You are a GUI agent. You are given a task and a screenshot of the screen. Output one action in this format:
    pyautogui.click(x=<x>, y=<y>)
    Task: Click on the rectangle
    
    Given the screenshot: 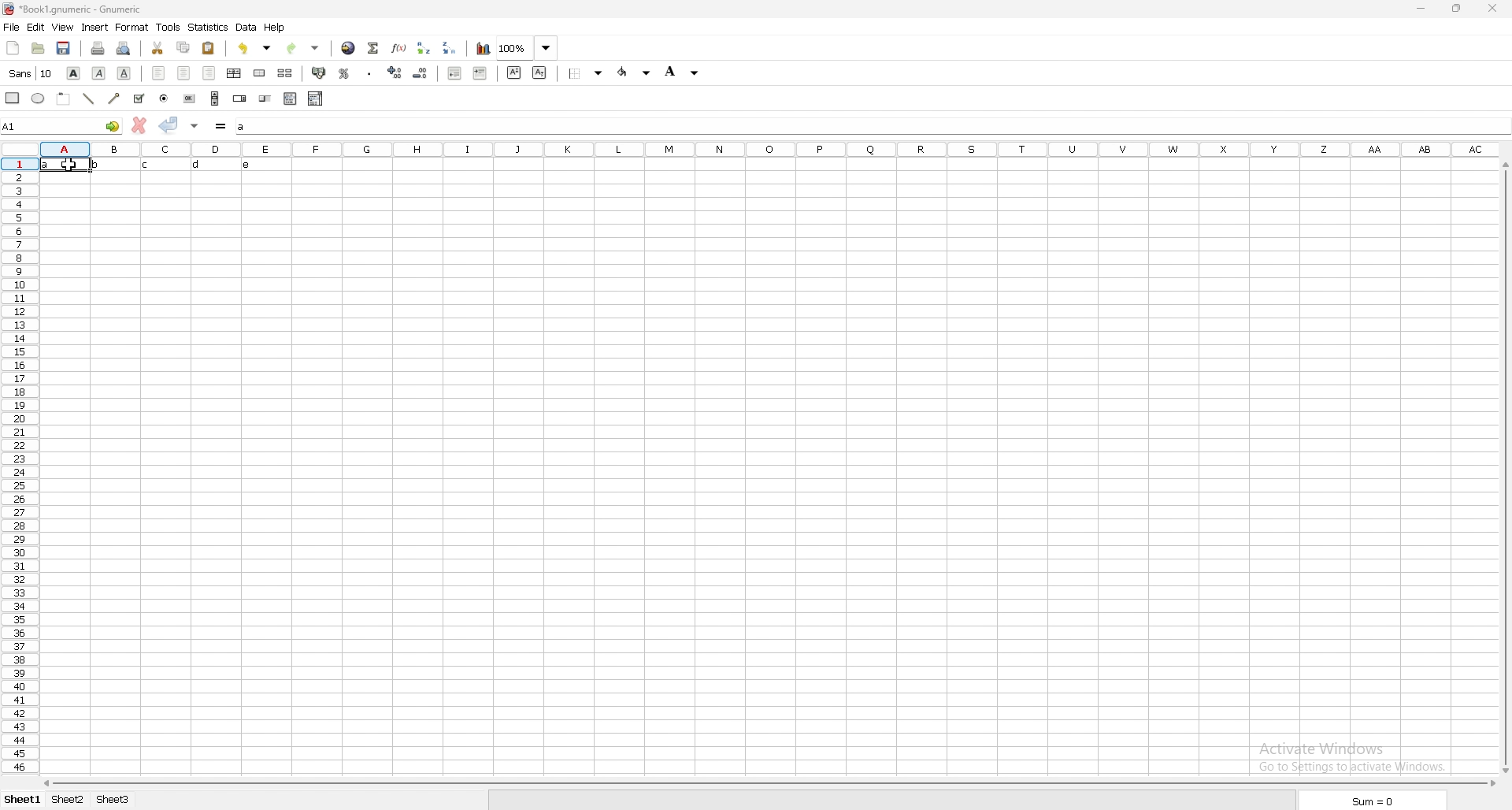 What is the action you would take?
    pyautogui.click(x=13, y=97)
    